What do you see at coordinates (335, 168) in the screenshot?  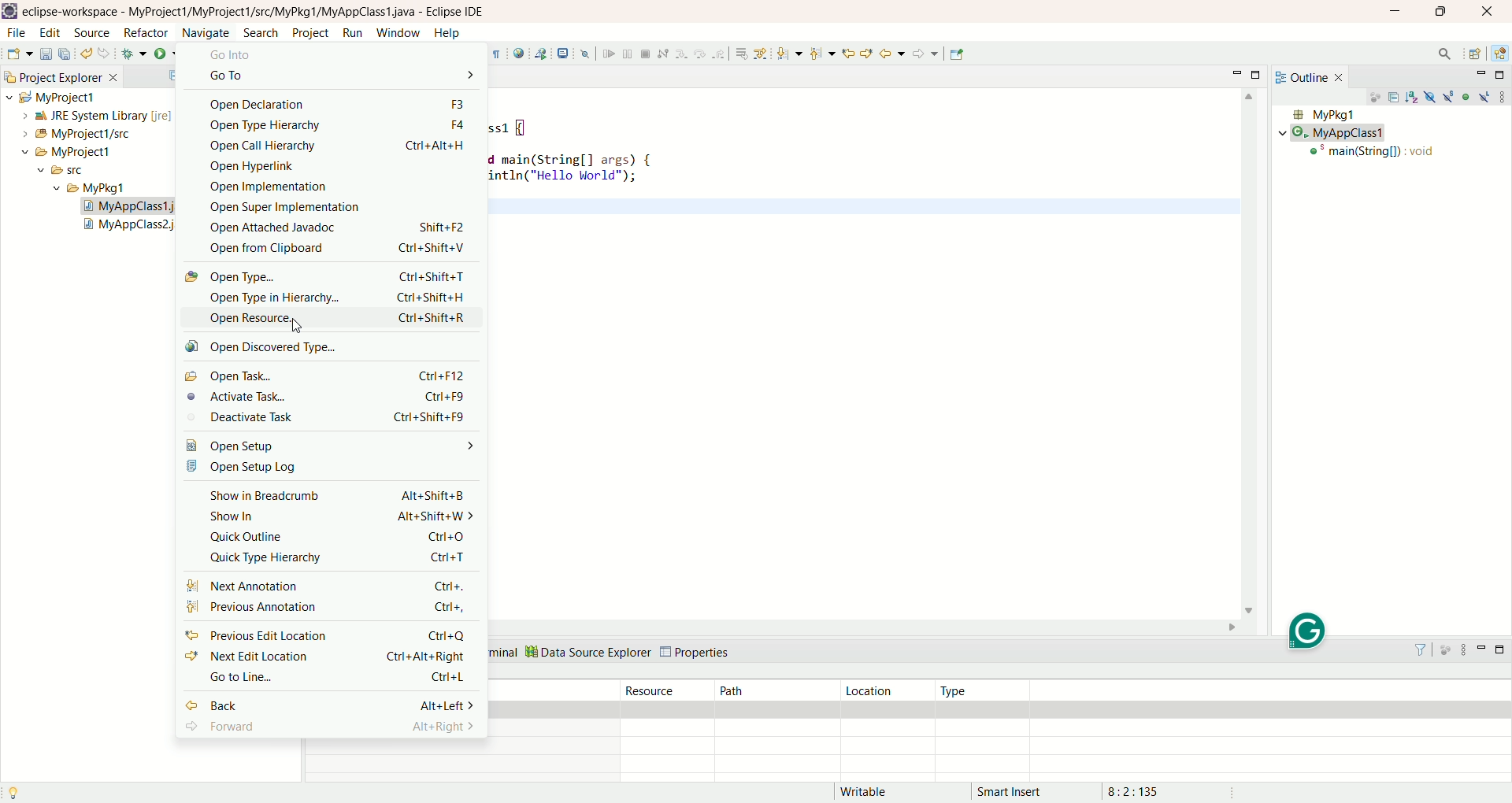 I see `open hyperlink` at bounding box center [335, 168].